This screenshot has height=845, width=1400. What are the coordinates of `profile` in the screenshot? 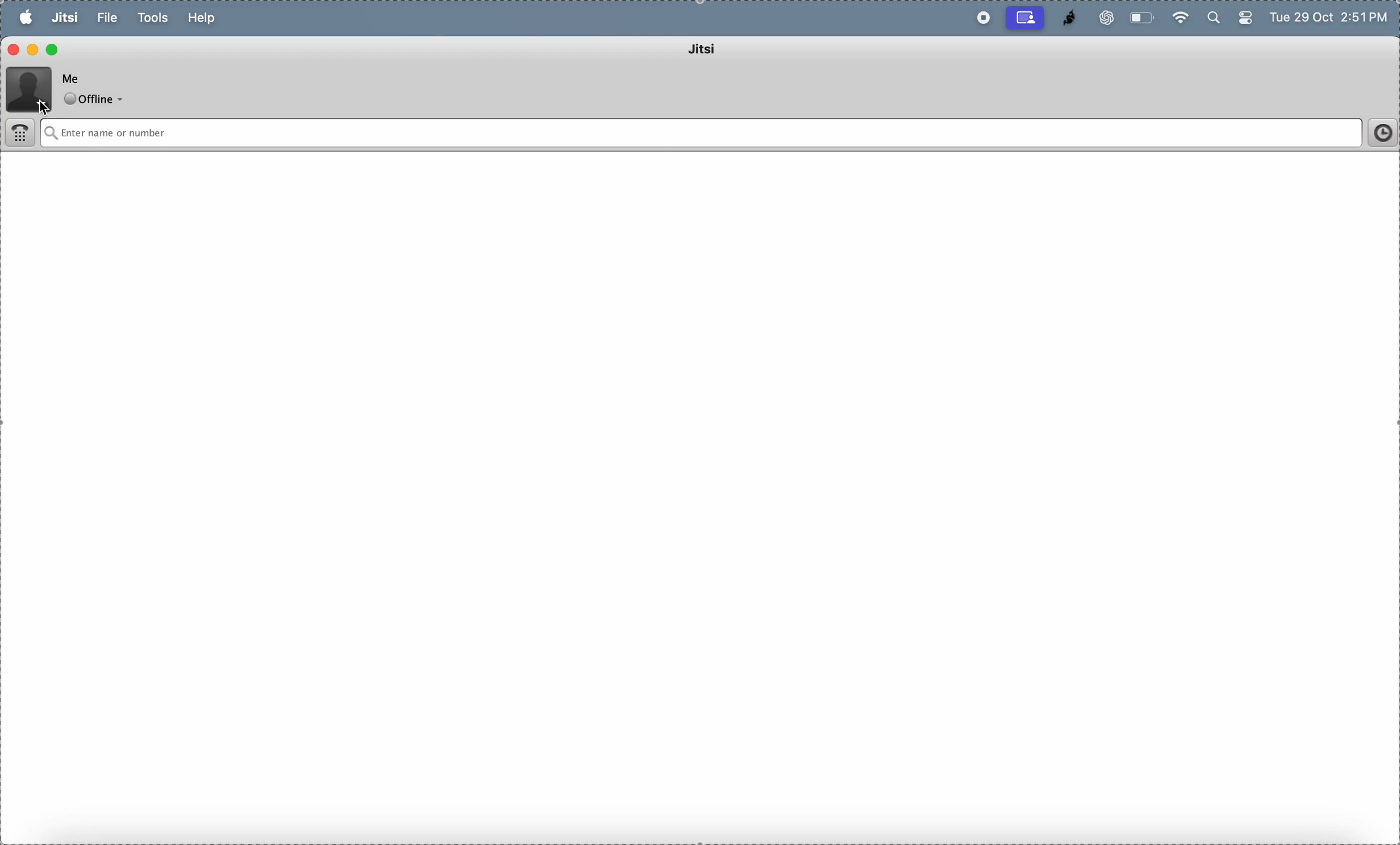 It's located at (30, 87).